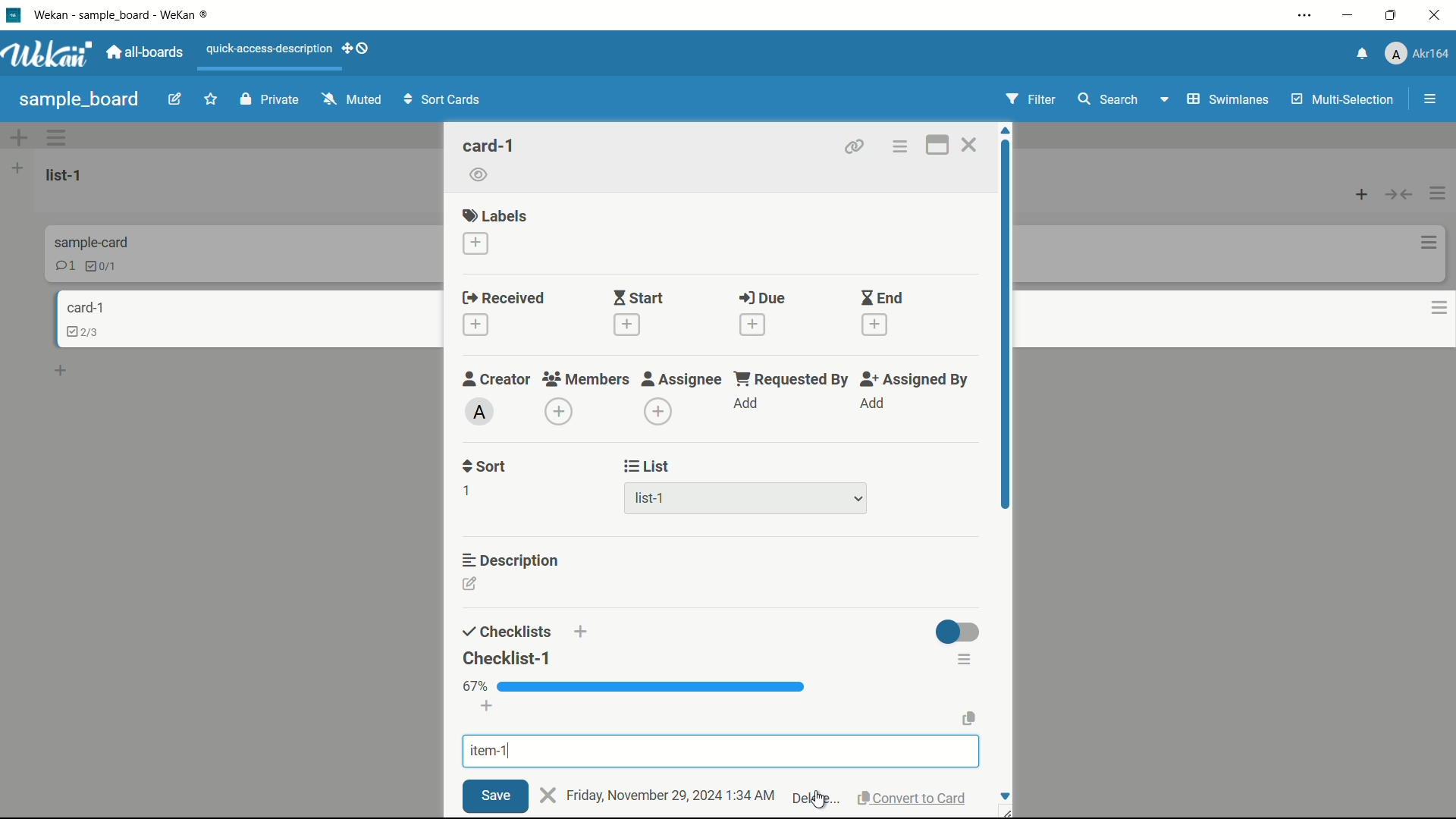 The height and width of the screenshot is (819, 1456). What do you see at coordinates (1420, 55) in the screenshot?
I see `Akr164` at bounding box center [1420, 55].